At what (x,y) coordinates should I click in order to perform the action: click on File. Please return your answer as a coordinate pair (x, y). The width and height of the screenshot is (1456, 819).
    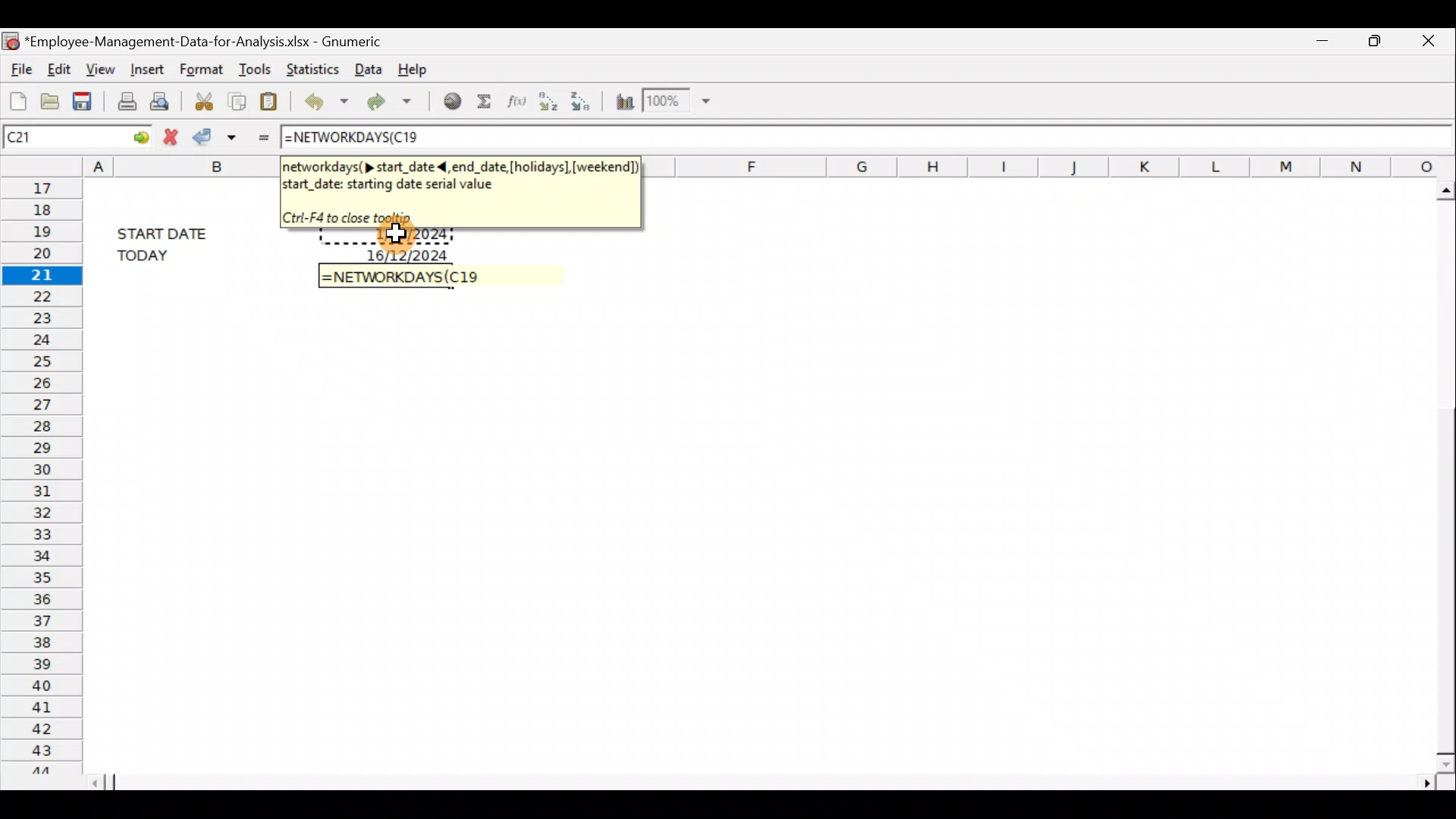
    Looking at the image, I should click on (19, 67).